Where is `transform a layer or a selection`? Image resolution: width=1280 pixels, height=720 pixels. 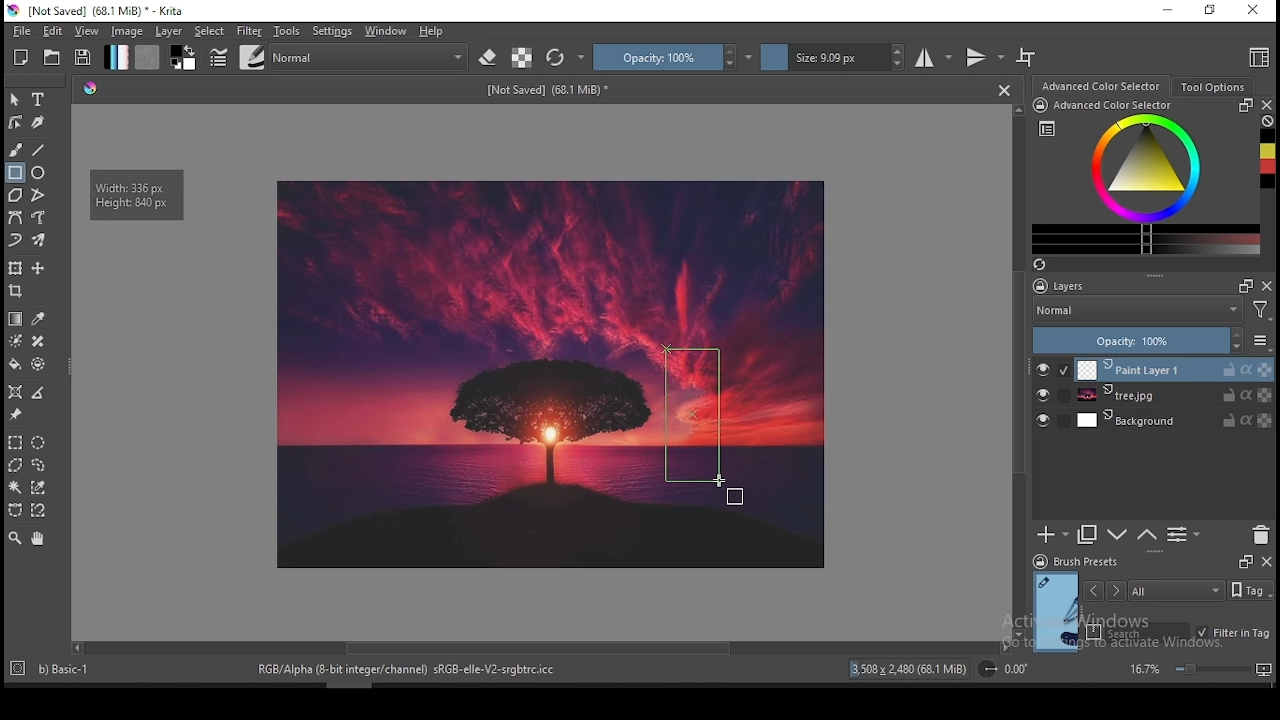
transform a layer or a selection is located at coordinates (16, 269).